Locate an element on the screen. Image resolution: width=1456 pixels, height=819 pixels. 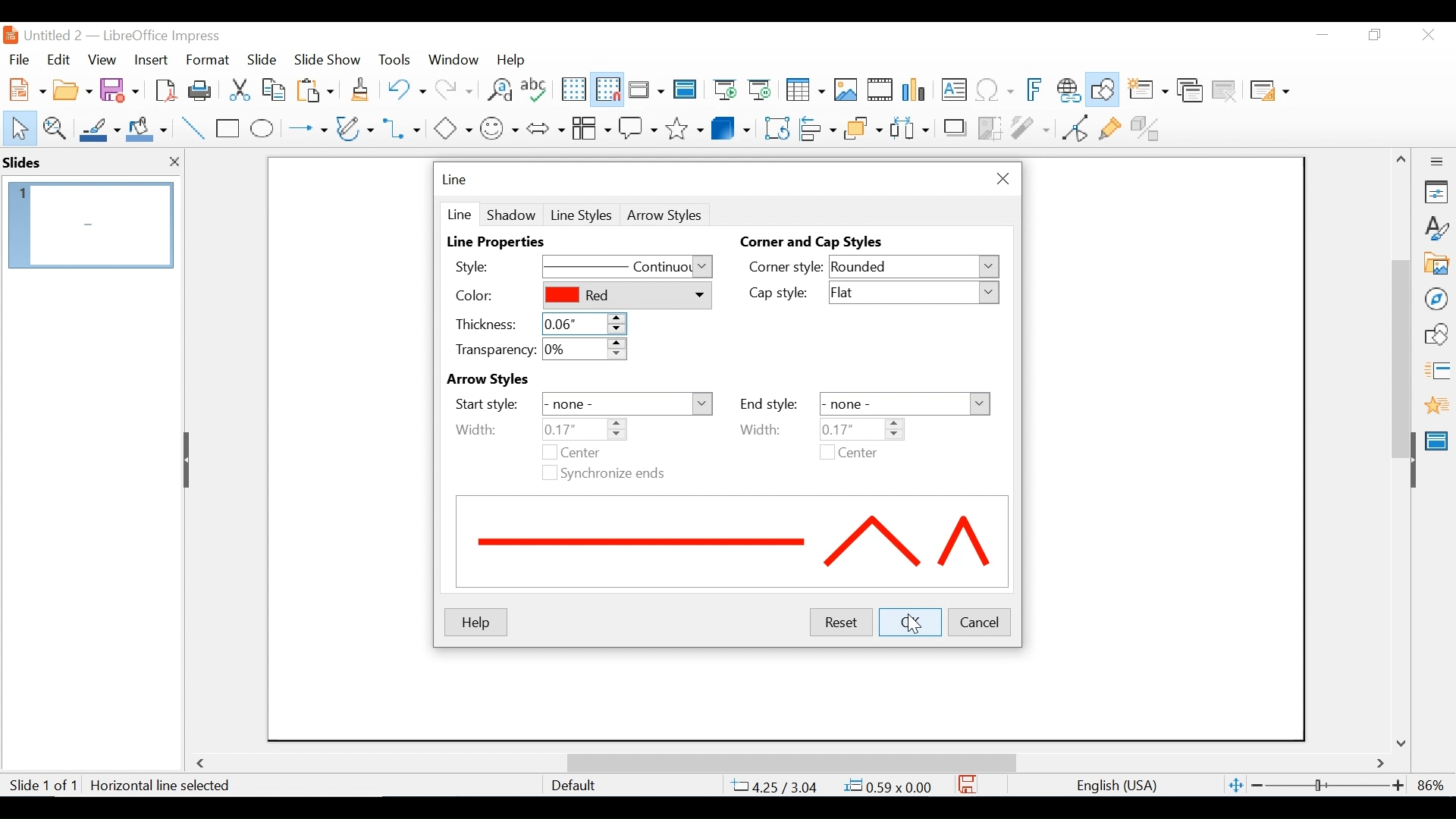
New is located at coordinates (24, 88).